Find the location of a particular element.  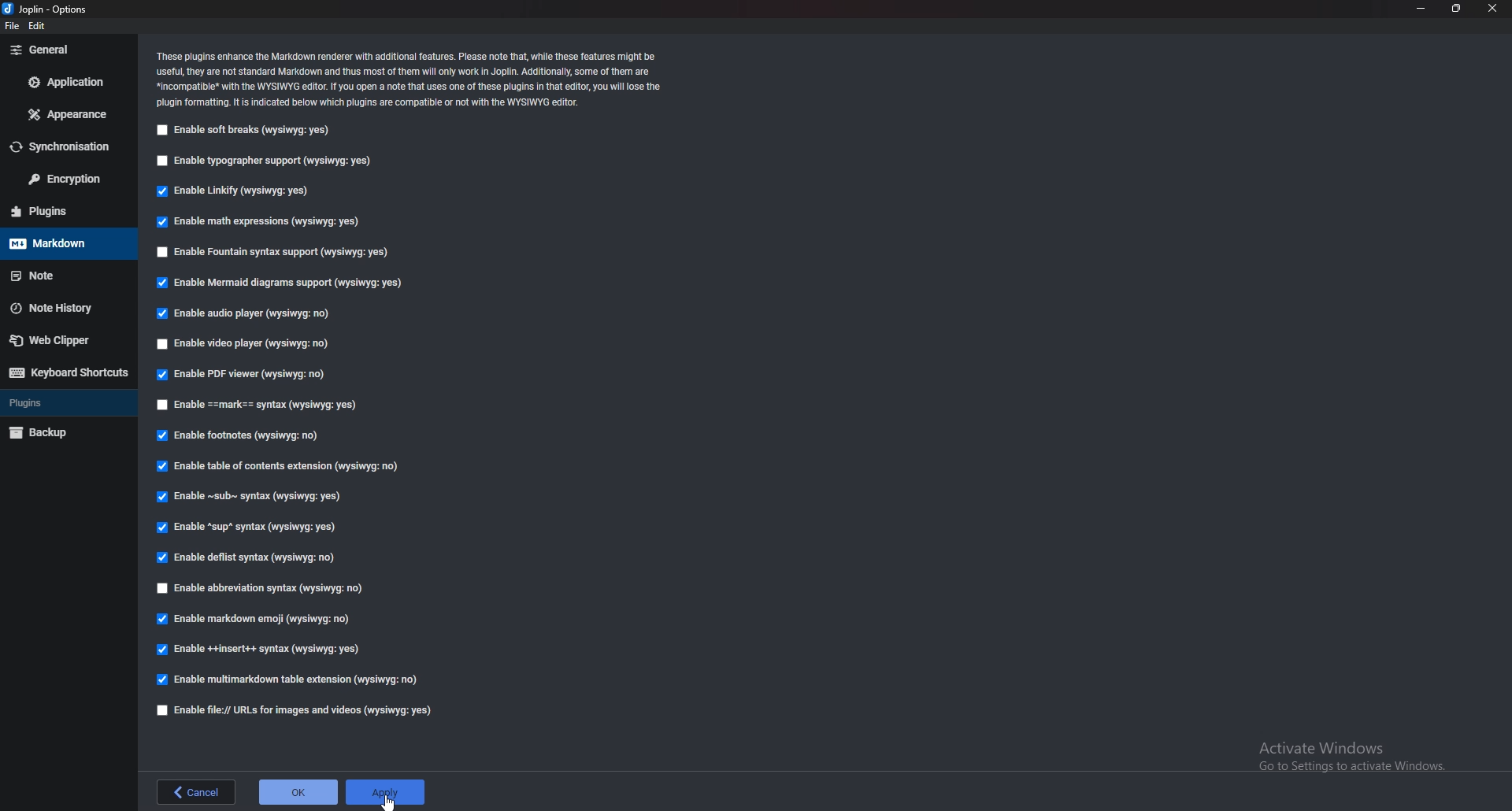

Encryption is located at coordinates (69, 179).